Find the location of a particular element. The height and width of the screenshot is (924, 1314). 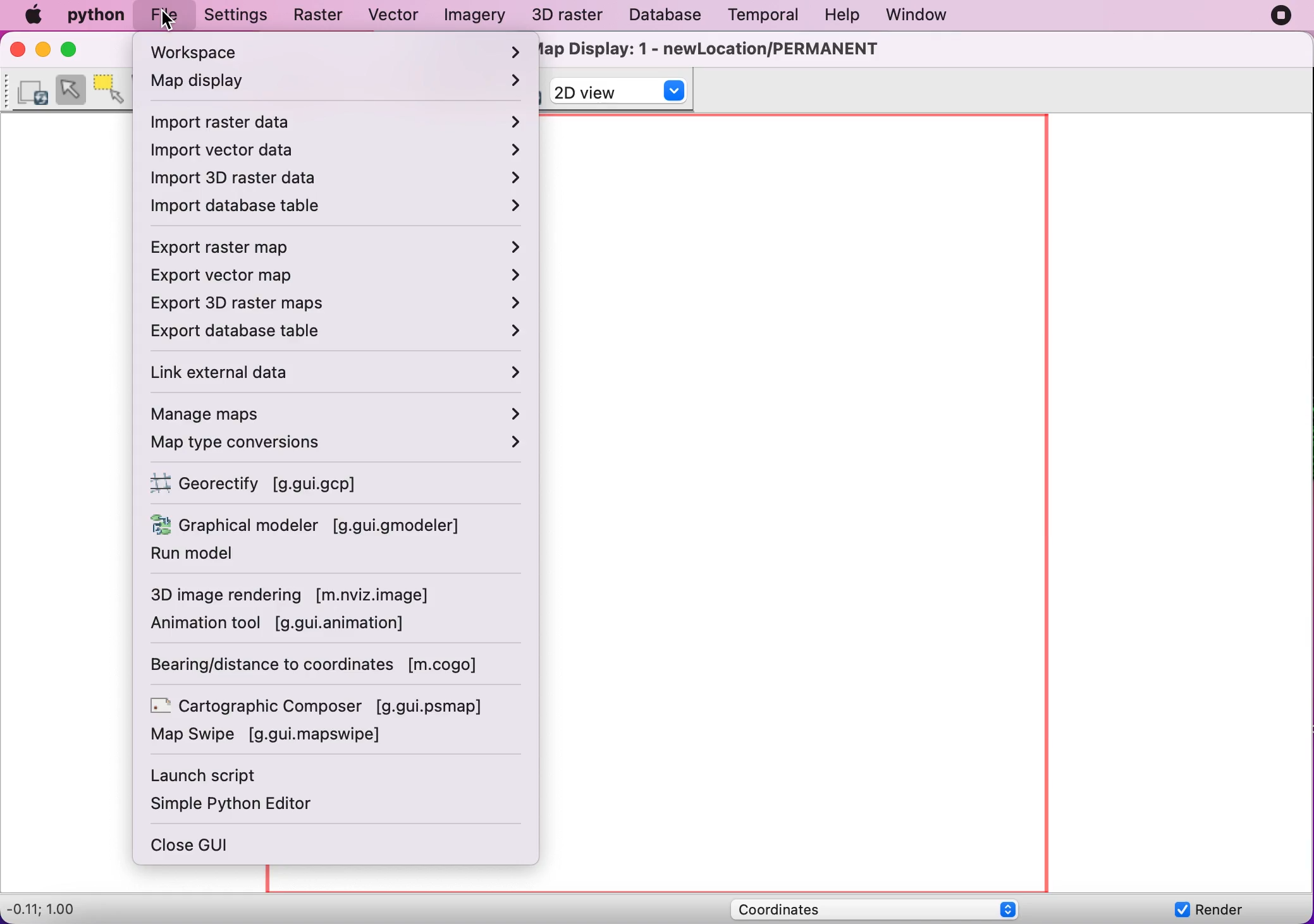

cartographic composer is located at coordinates (324, 705).